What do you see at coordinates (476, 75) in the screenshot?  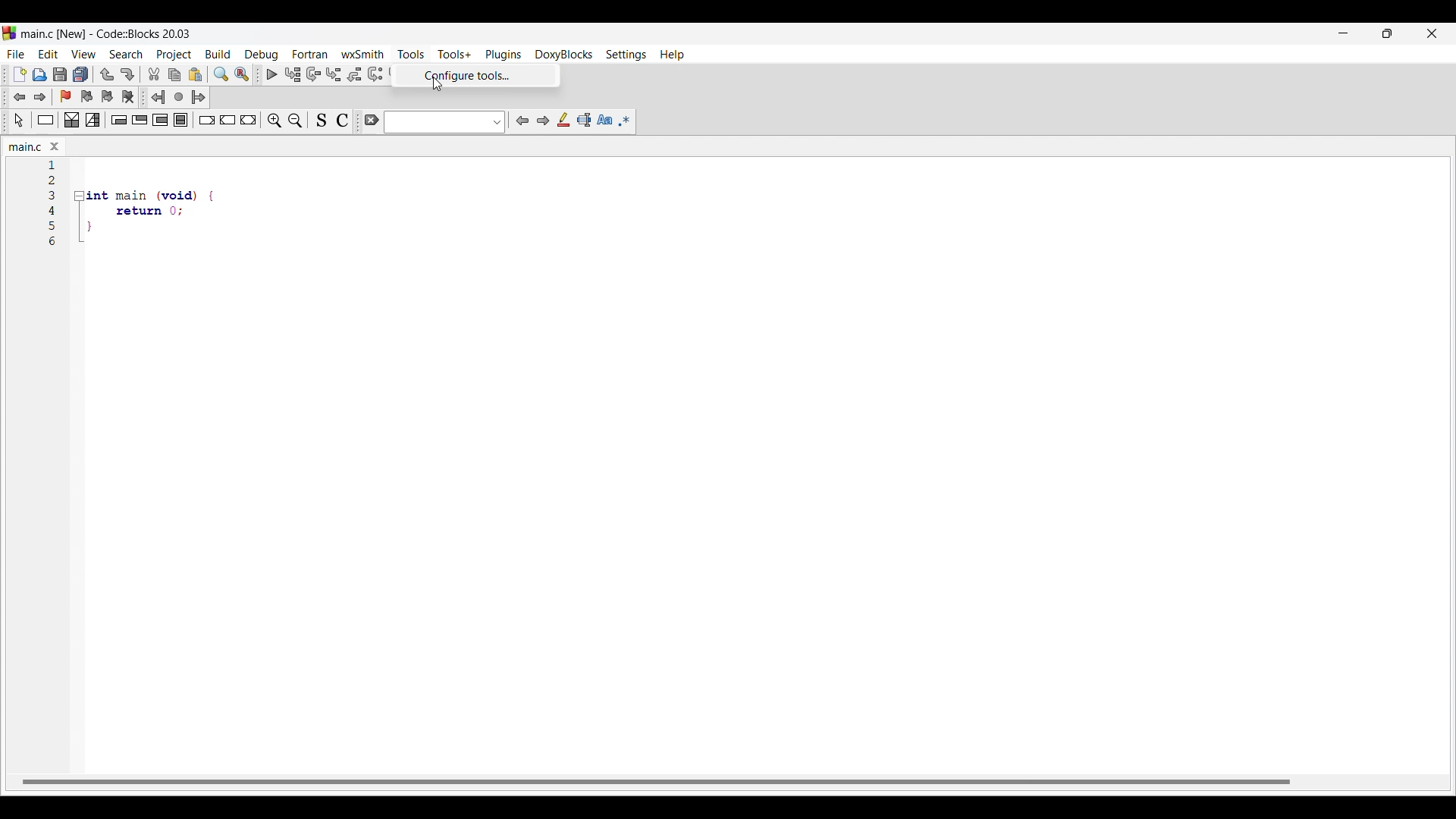 I see `Configure tools` at bounding box center [476, 75].